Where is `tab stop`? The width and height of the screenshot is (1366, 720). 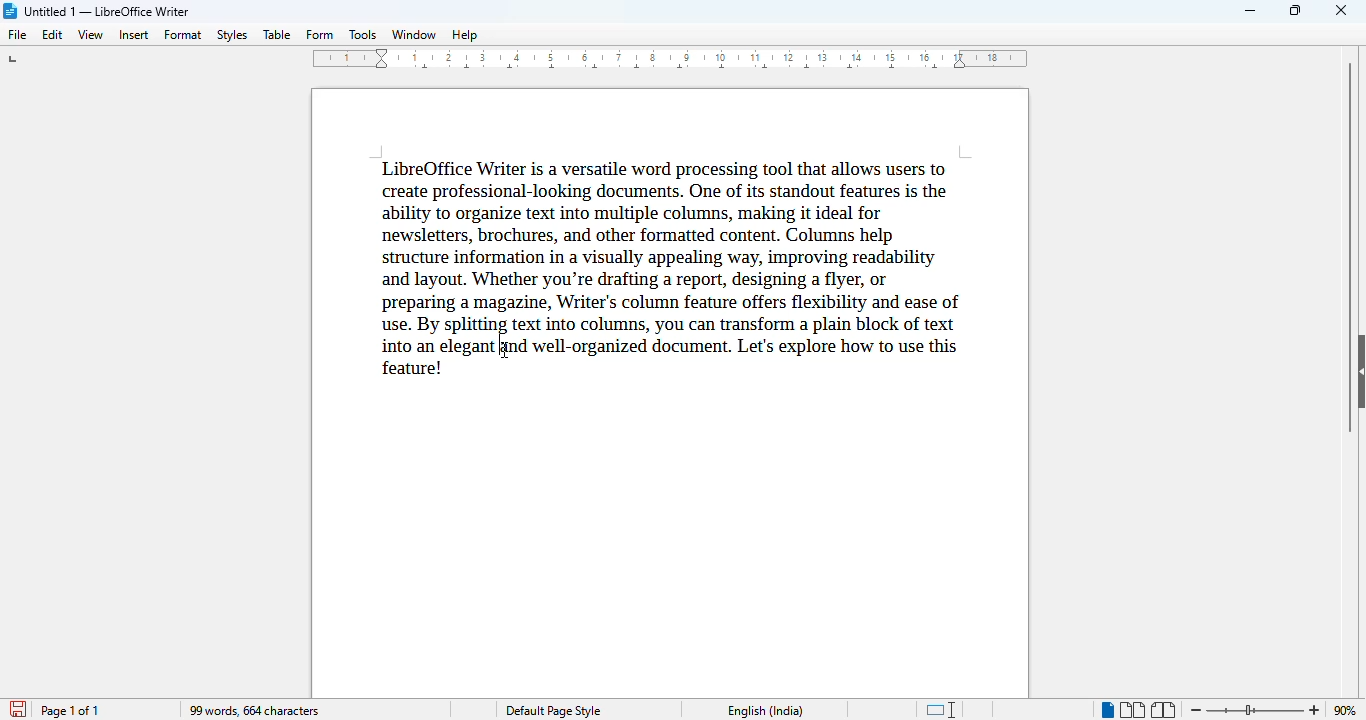 tab stop is located at coordinates (15, 59).